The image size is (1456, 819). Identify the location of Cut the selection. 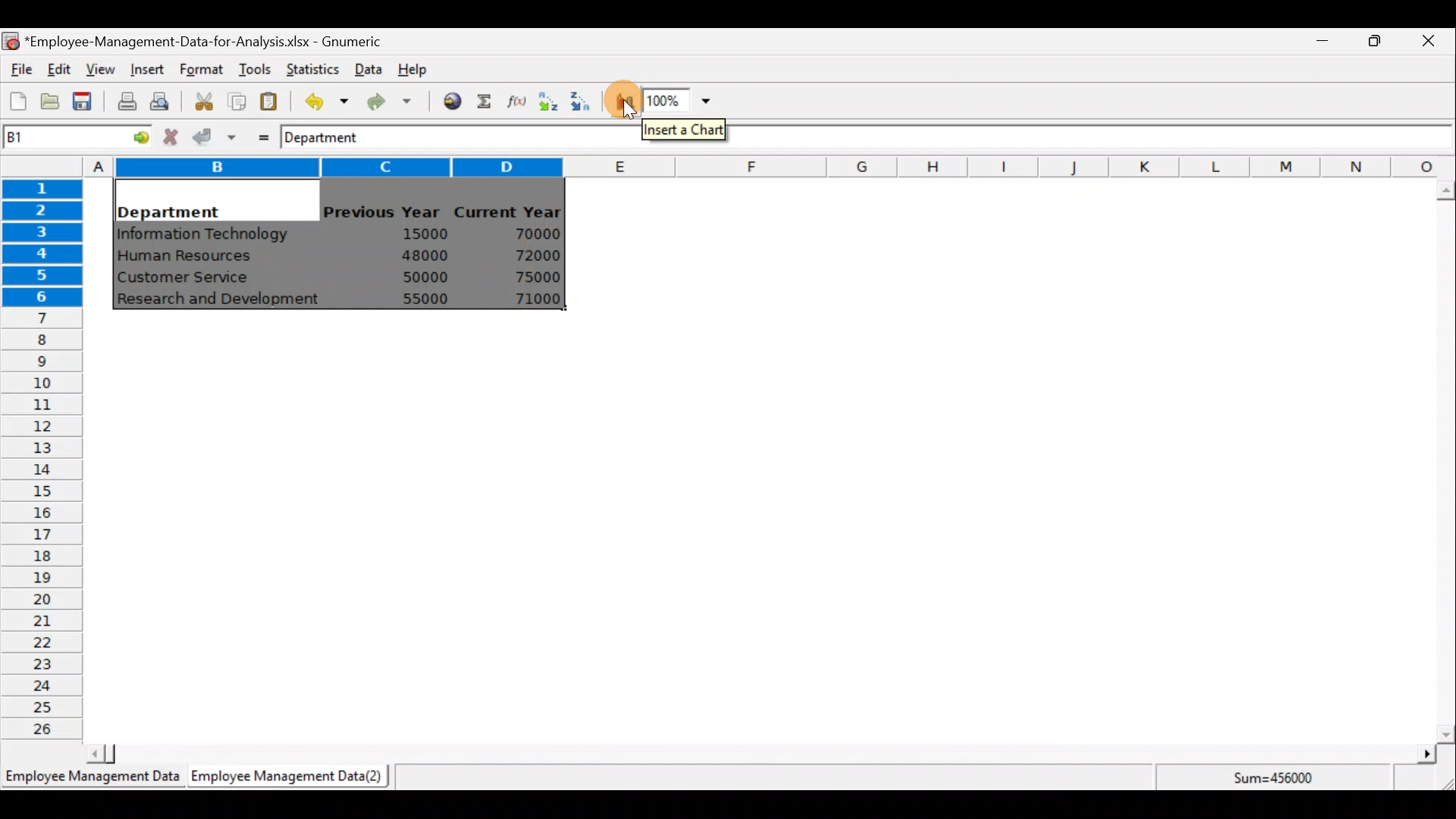
(199, 99).